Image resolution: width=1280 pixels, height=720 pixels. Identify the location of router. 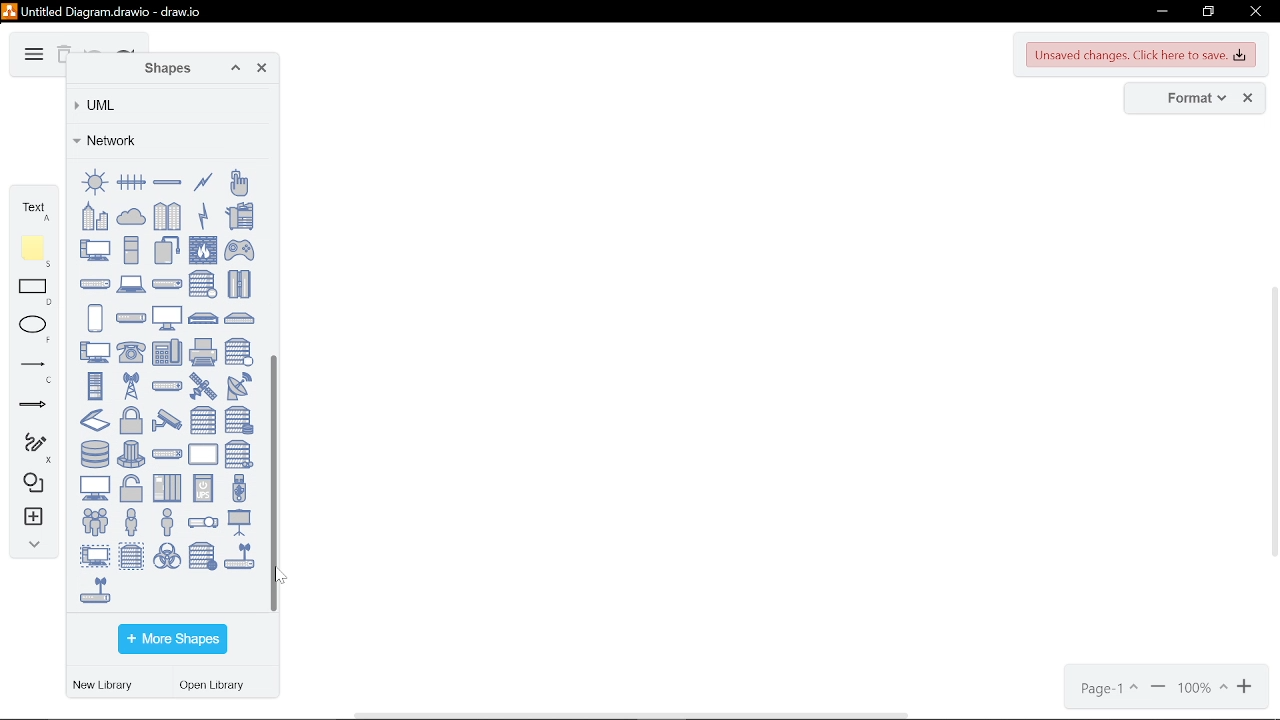
(167, 386).